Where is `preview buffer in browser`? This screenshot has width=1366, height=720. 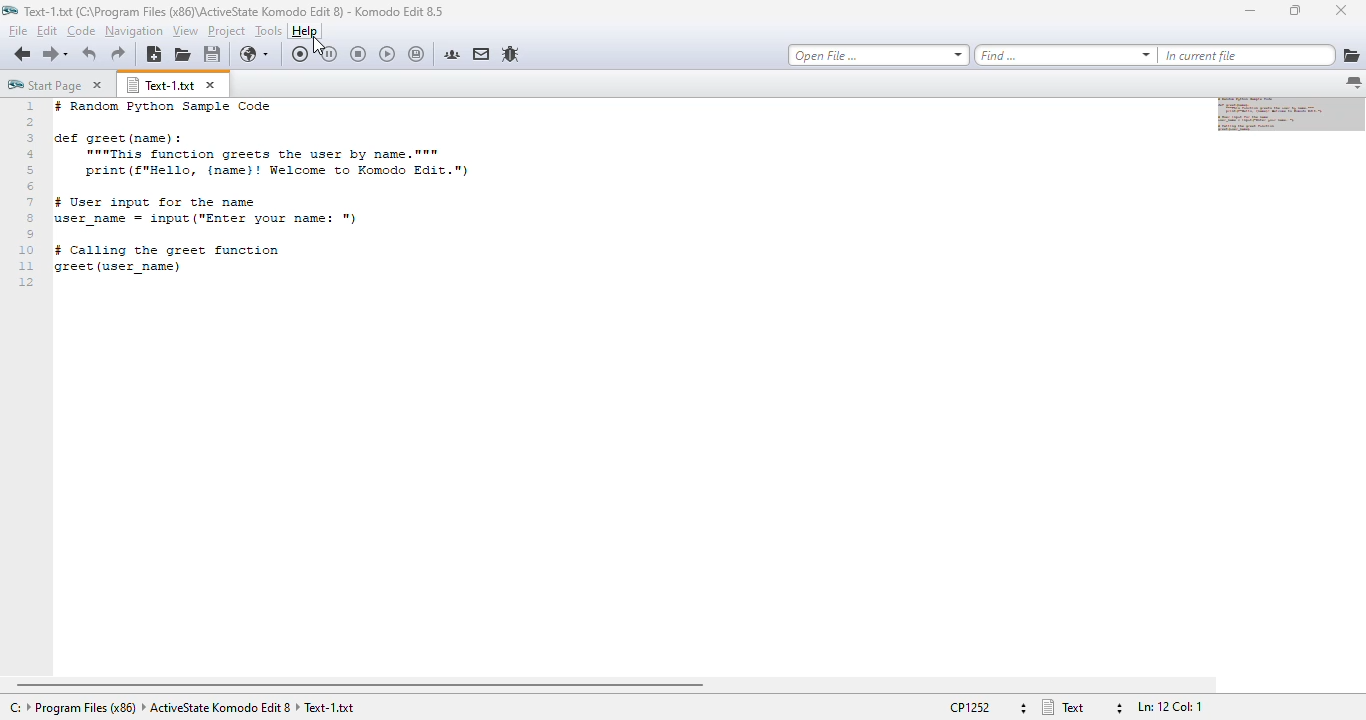 preview buffer in browser is located at coordinates (256, 55).